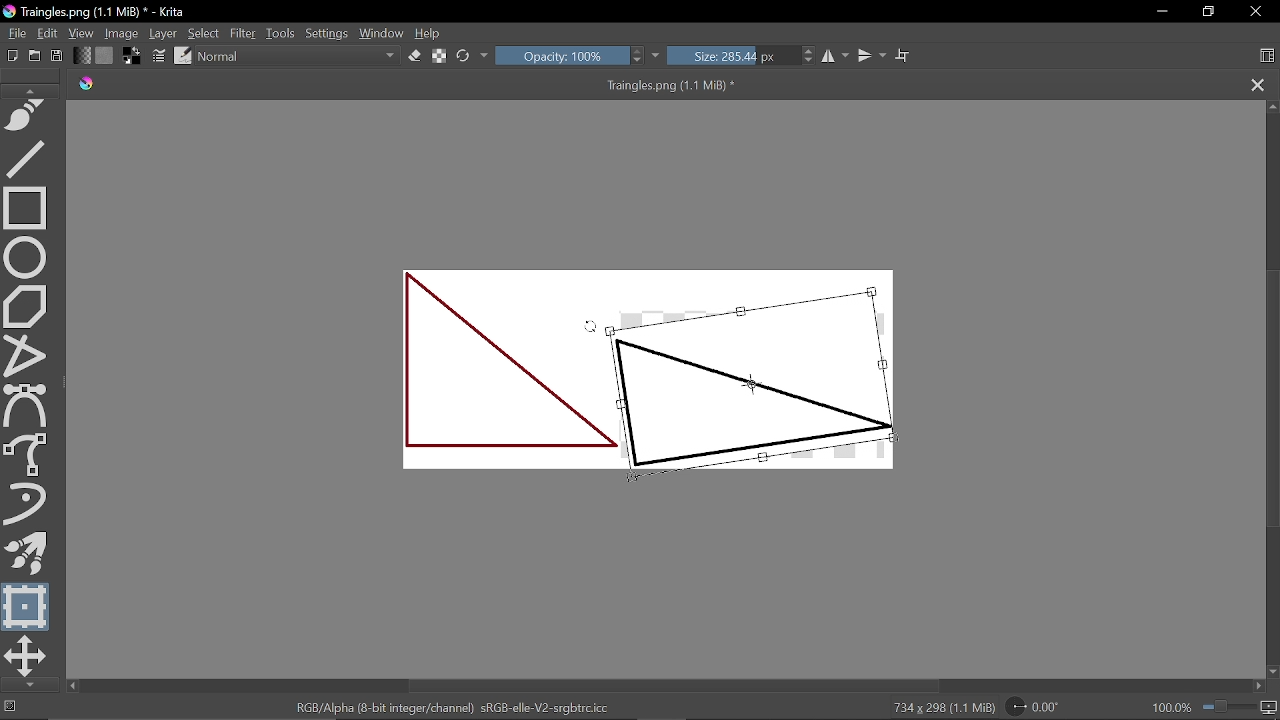  What do you see at coordinates (1266, 58) in the screenshot?
I see `Choose workspace` at bounding box center [1266, 58].